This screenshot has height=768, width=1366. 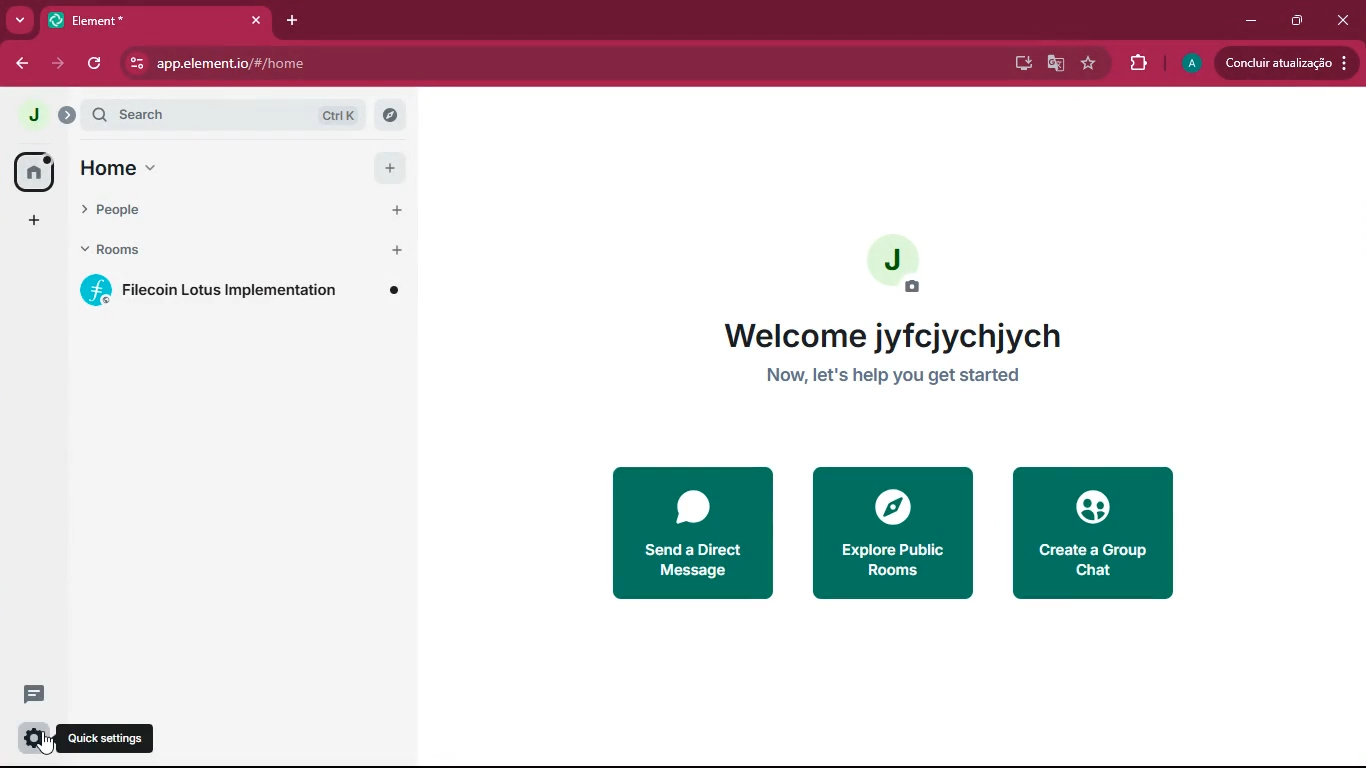 What do you see at coordinates (294, 21) in the screenshot?
I see `add tab` at bounding box center [294, 21].